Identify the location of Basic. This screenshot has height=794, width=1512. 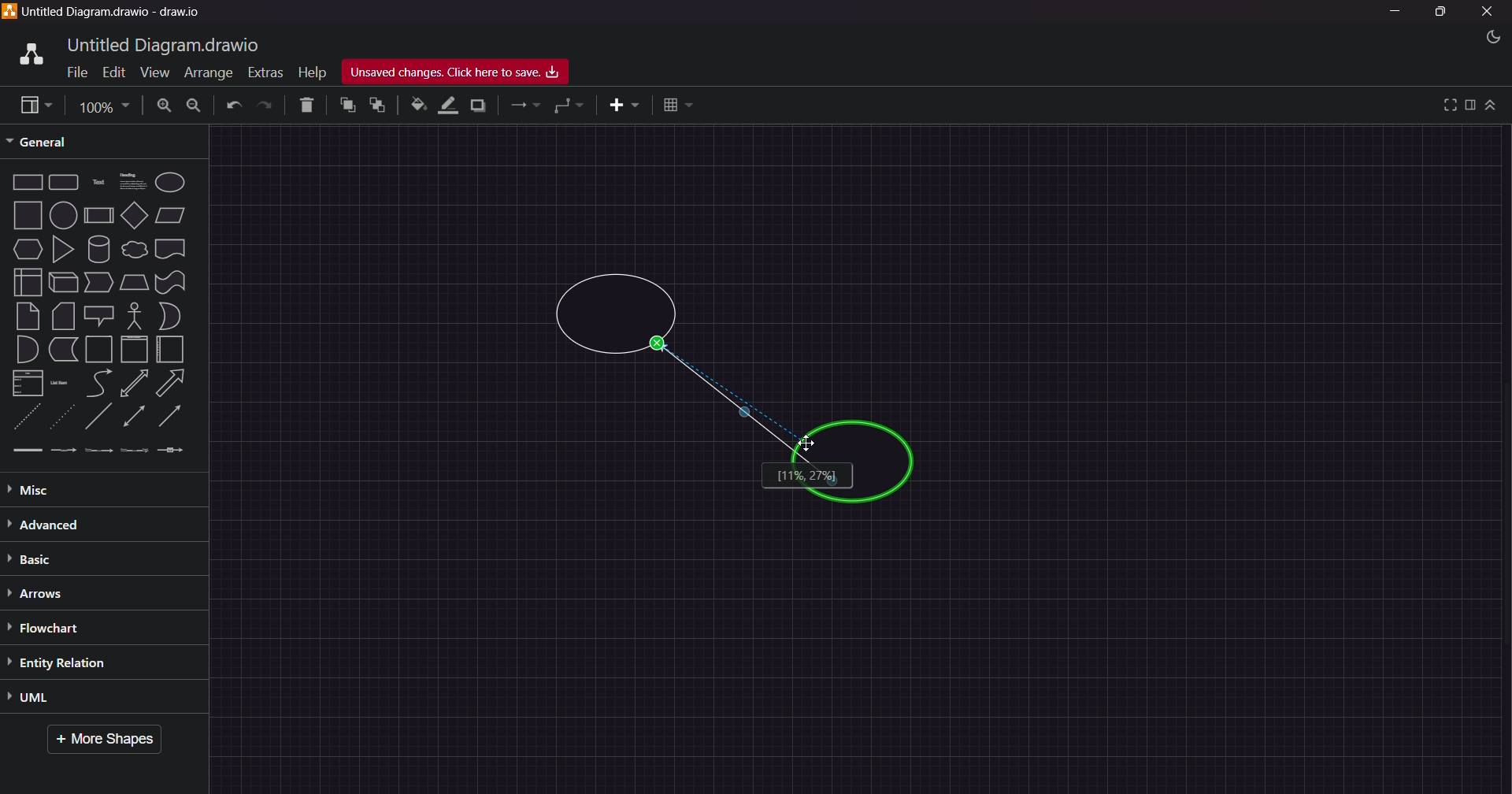
(43, 559).